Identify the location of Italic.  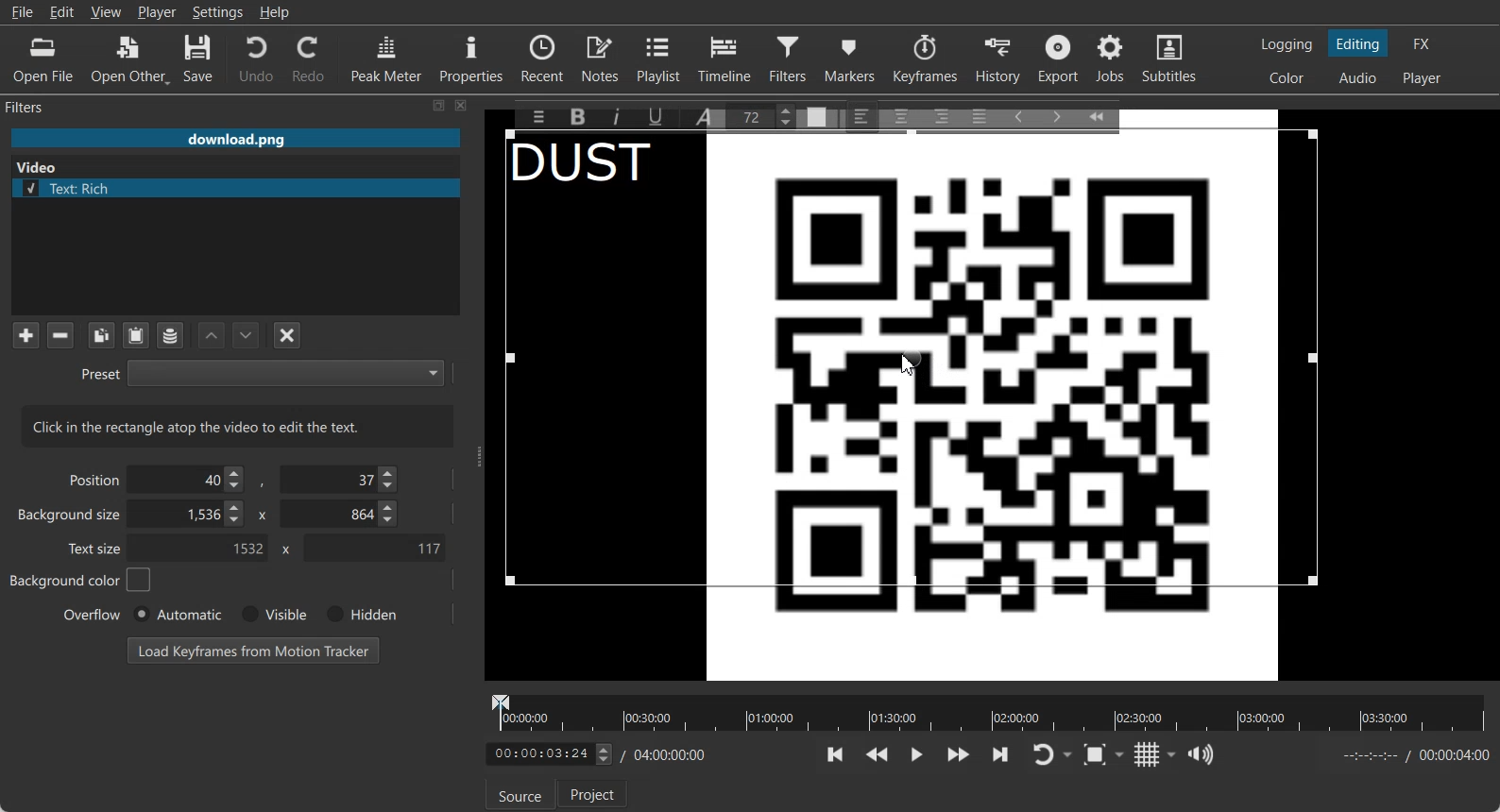
(620, 114).